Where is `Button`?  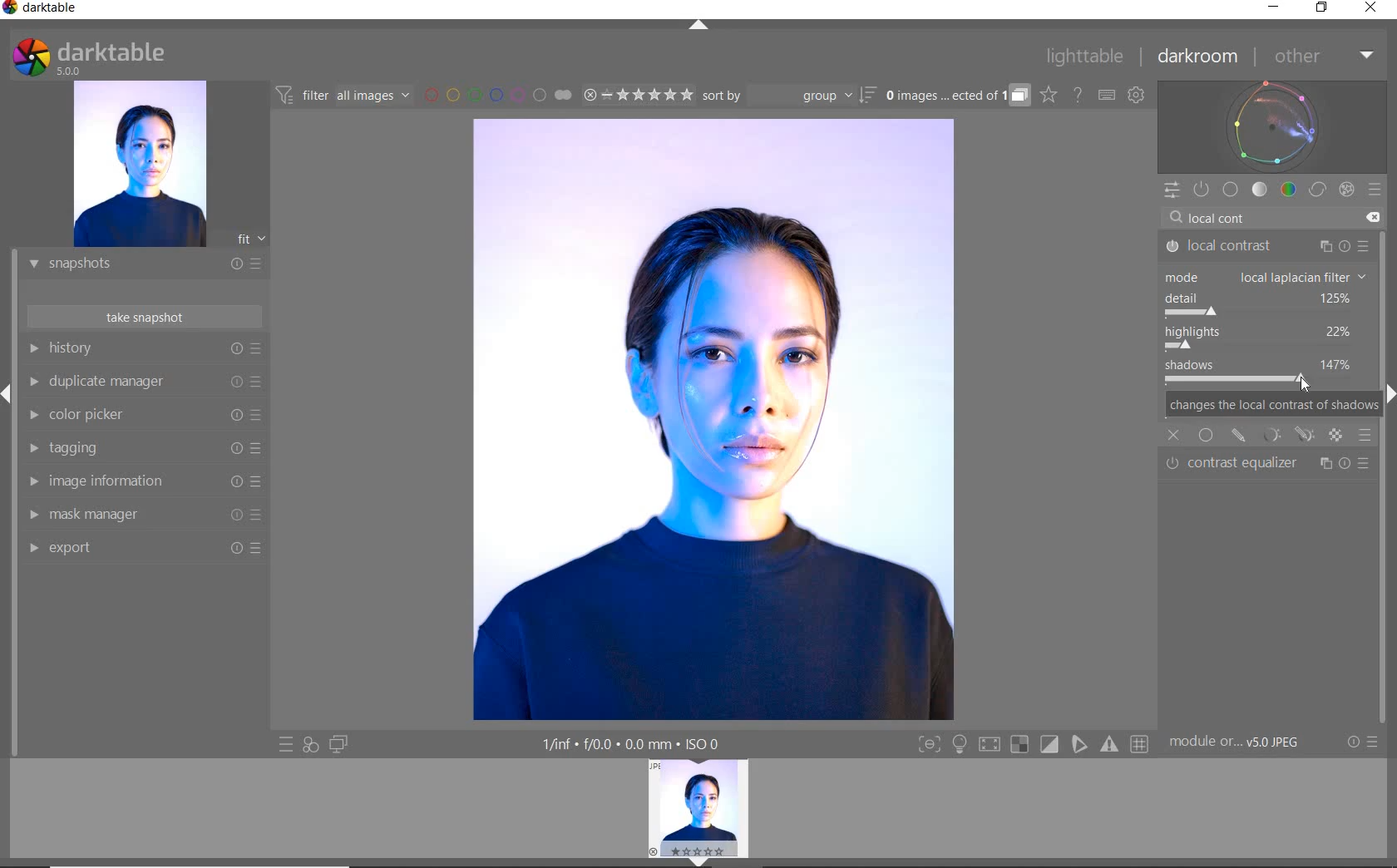 Button is located at coordinates (960, 746).